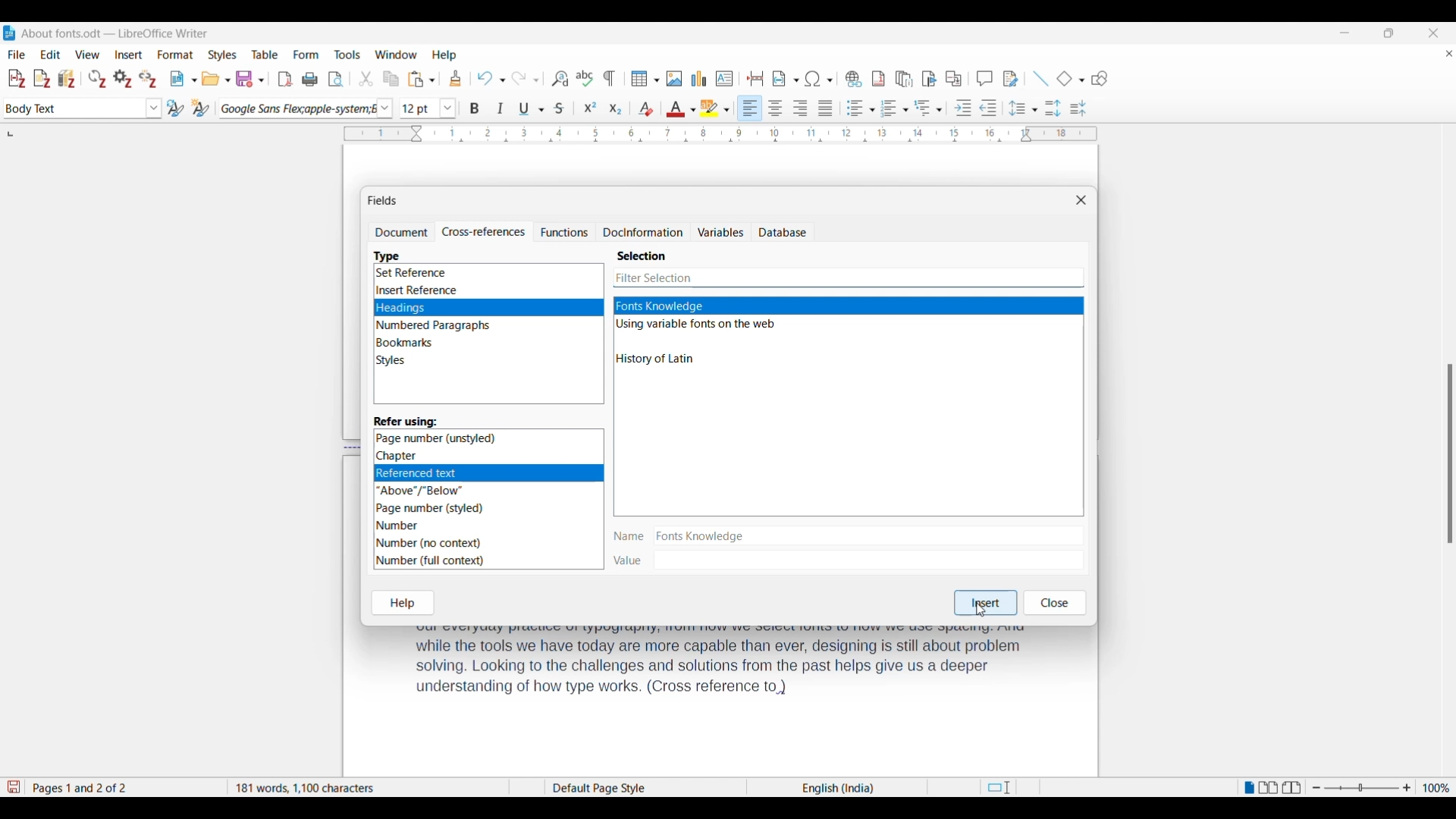  Describe the element at coordinates (953, 79) in the screenshot. I see `Insert cross-reference` at that location.